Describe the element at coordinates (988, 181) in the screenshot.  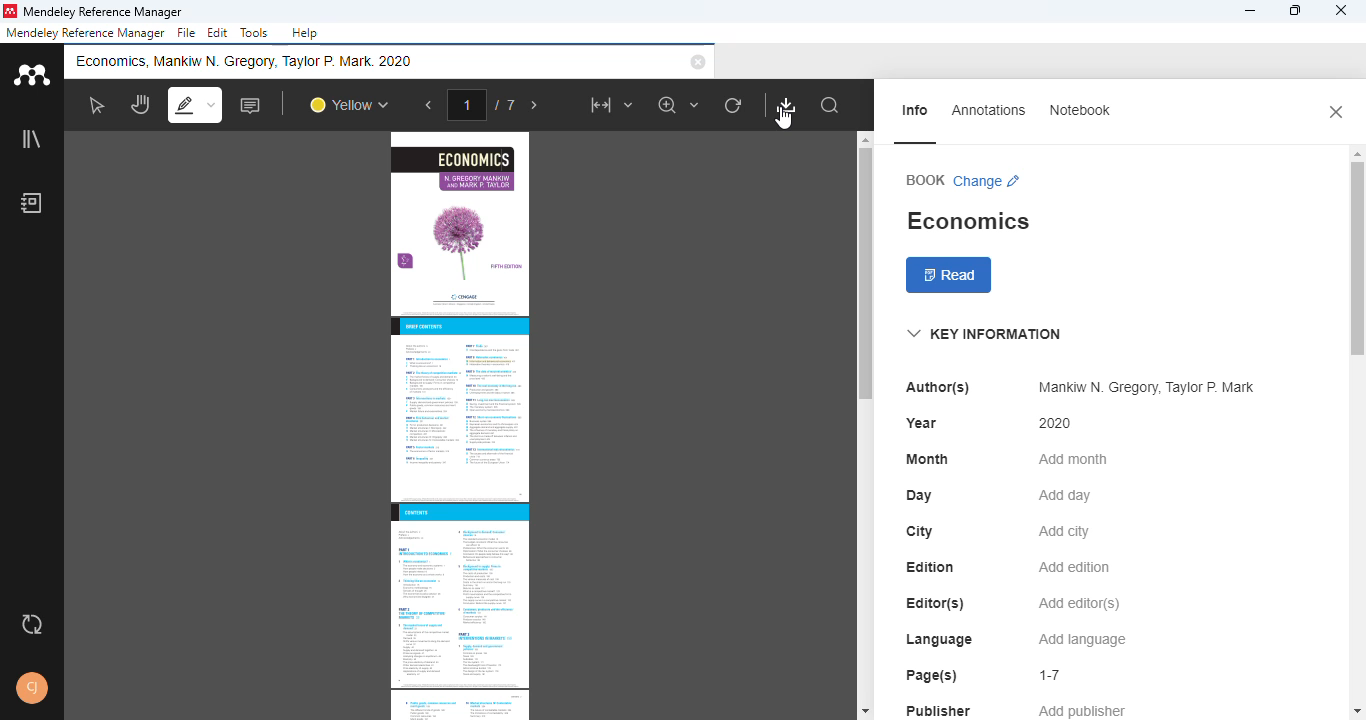
I see `change` at that location.